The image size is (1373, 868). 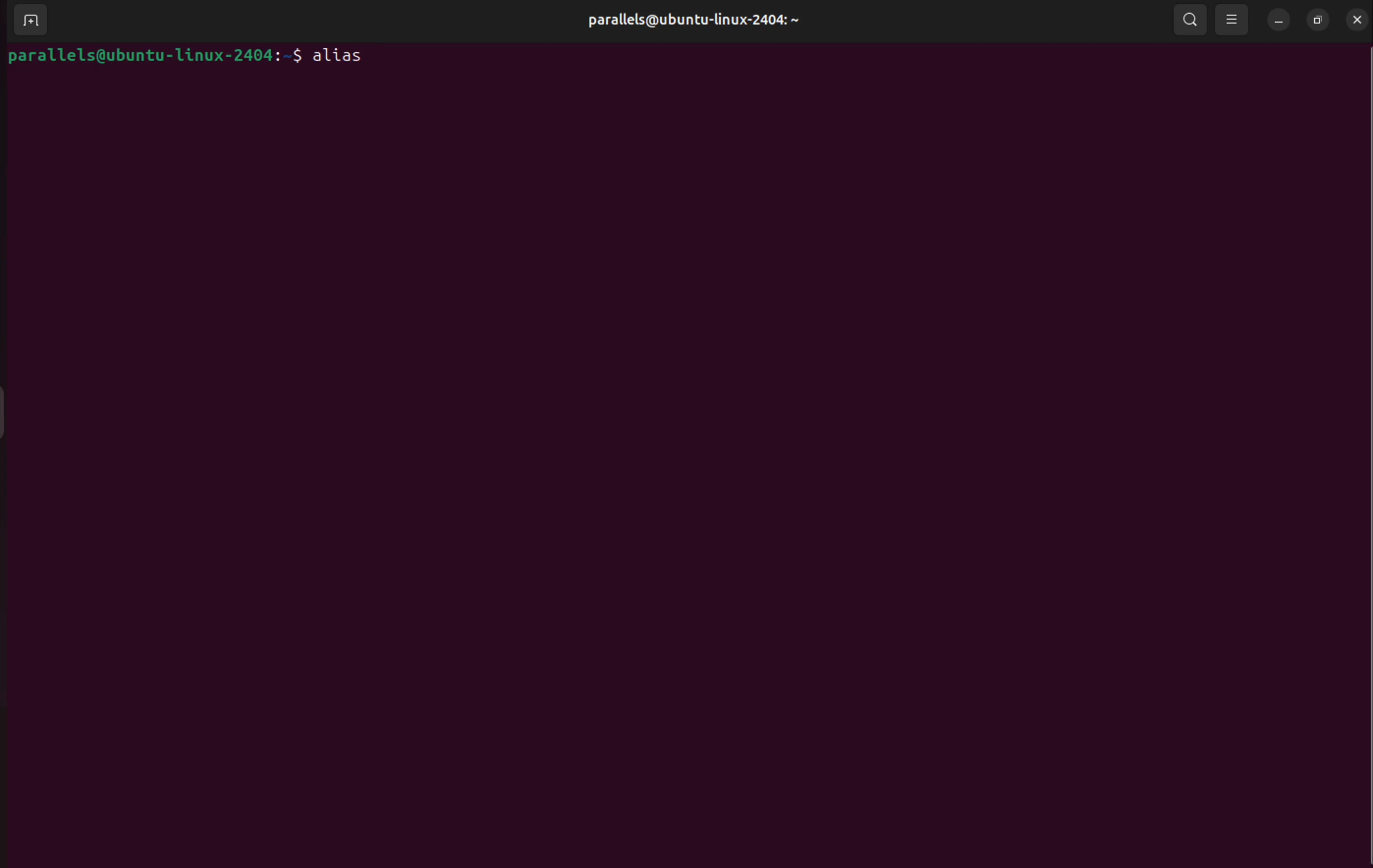 I want to click on bash prompt, so click(x=154, y=55).